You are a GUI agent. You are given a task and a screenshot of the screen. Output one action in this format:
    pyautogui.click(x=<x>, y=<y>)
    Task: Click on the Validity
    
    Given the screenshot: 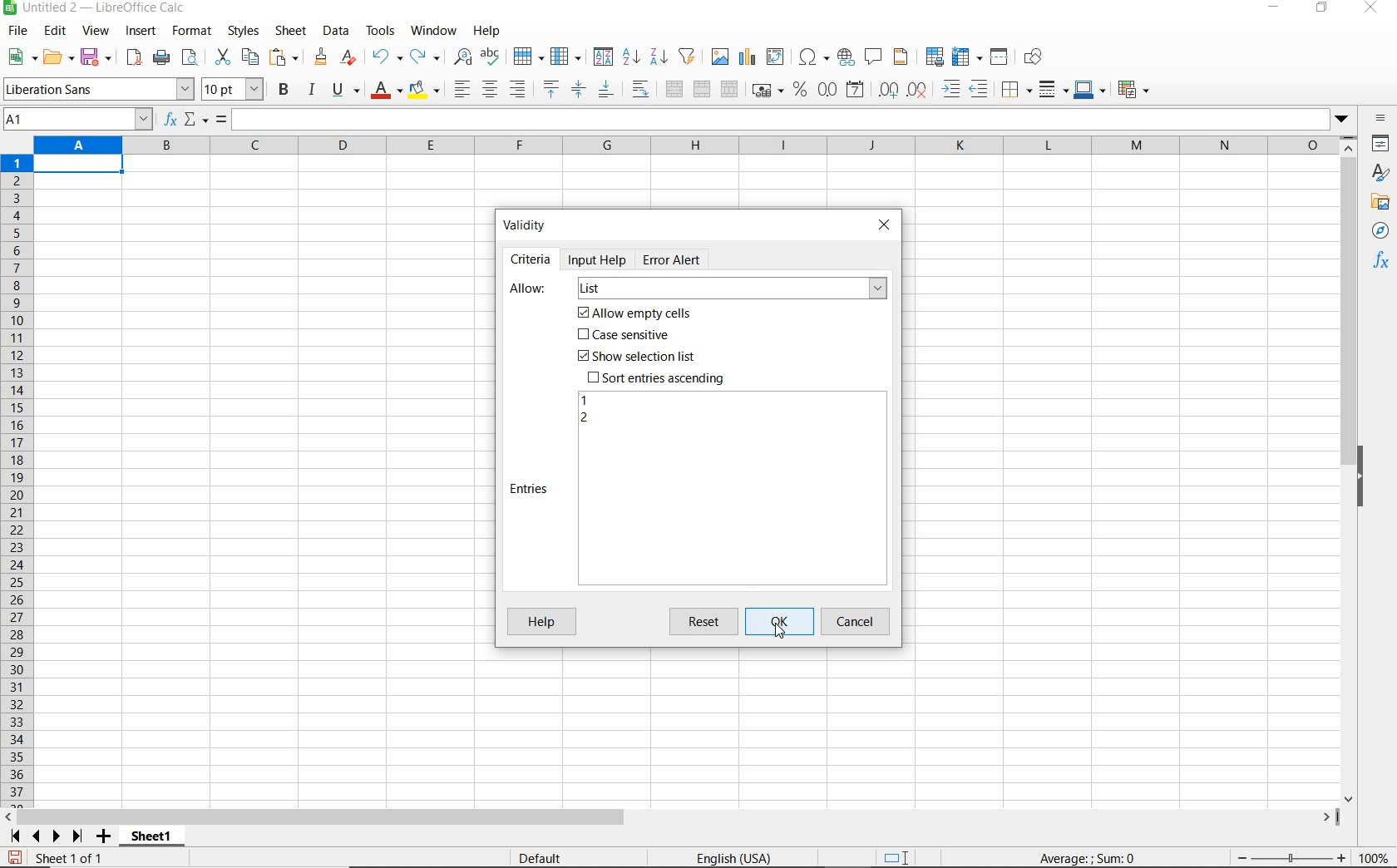 What is the action you would take?
    pyautogui.click(x=526, y=224)
    